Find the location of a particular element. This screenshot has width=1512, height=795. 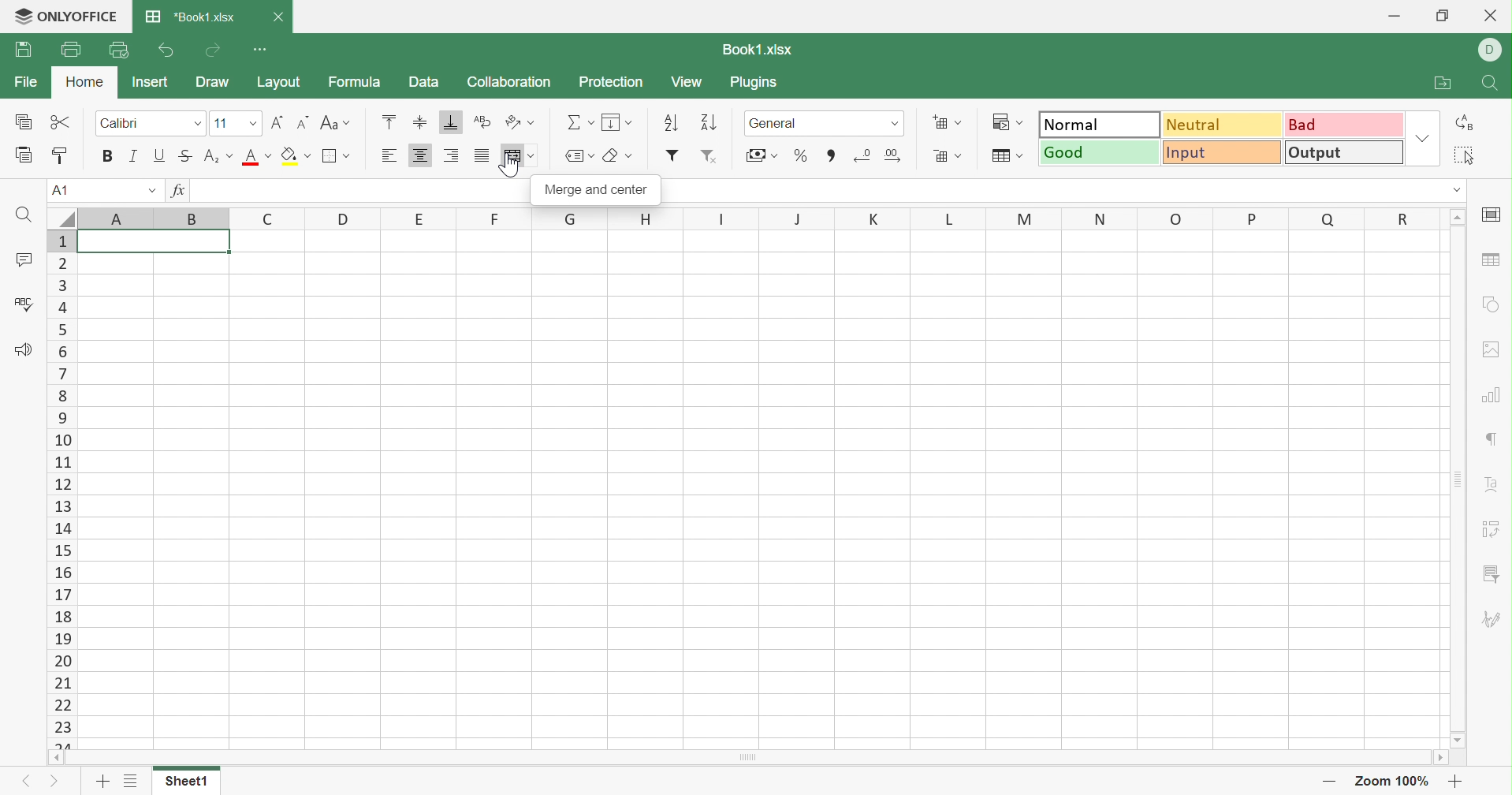

Clear is located at coordinates (616, 157).